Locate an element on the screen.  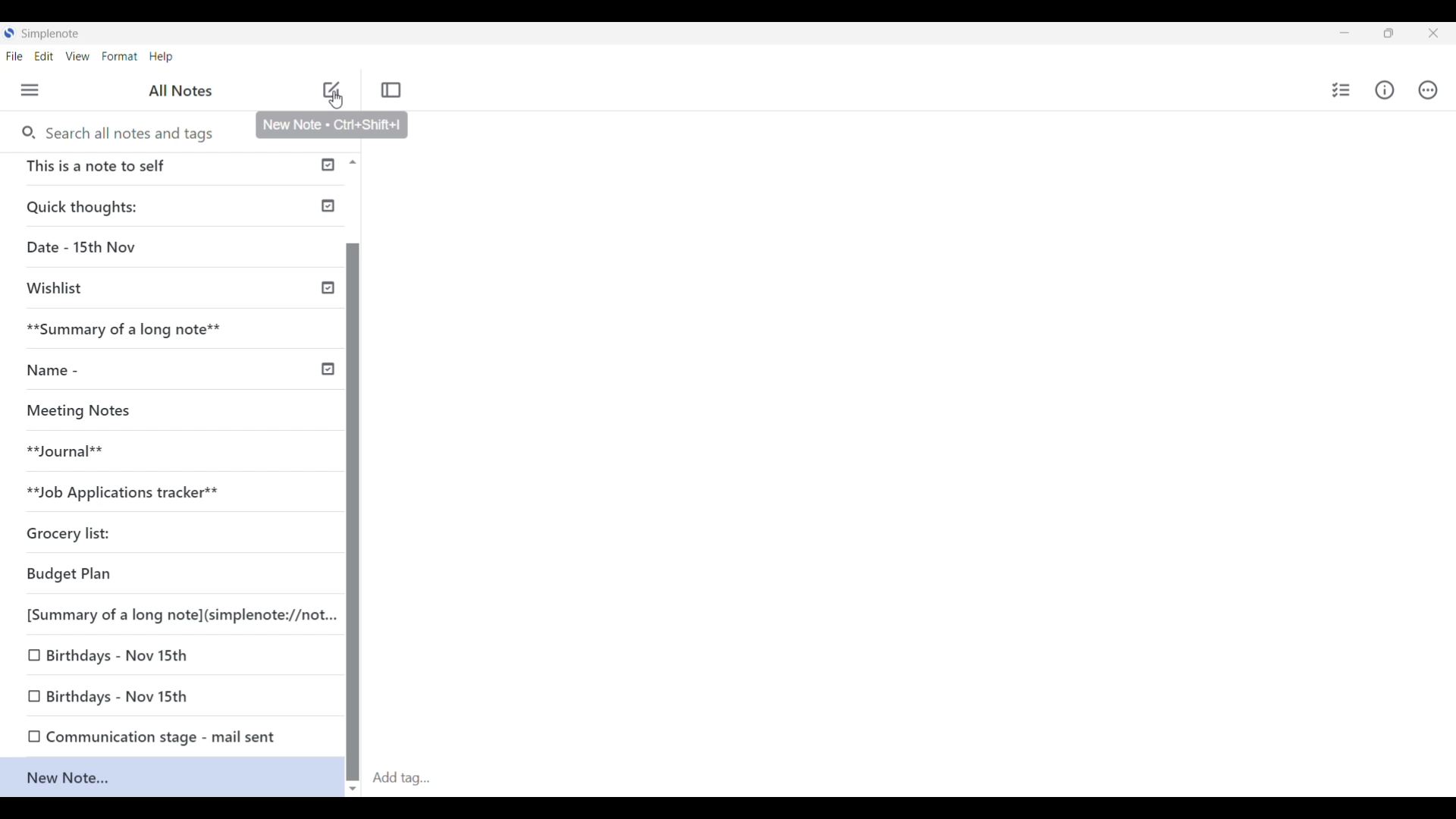
Add new note is located at coordinates (331, 89).